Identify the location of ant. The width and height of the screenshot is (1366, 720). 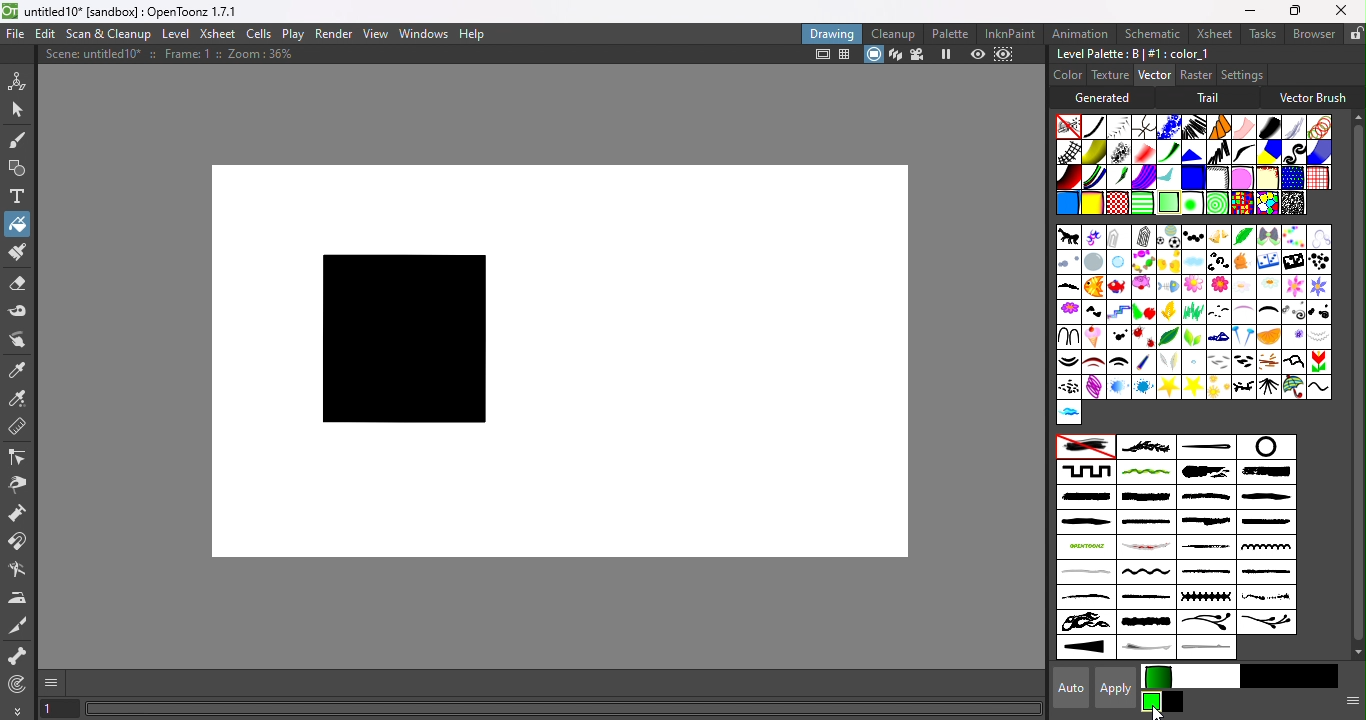
(1068, 238).